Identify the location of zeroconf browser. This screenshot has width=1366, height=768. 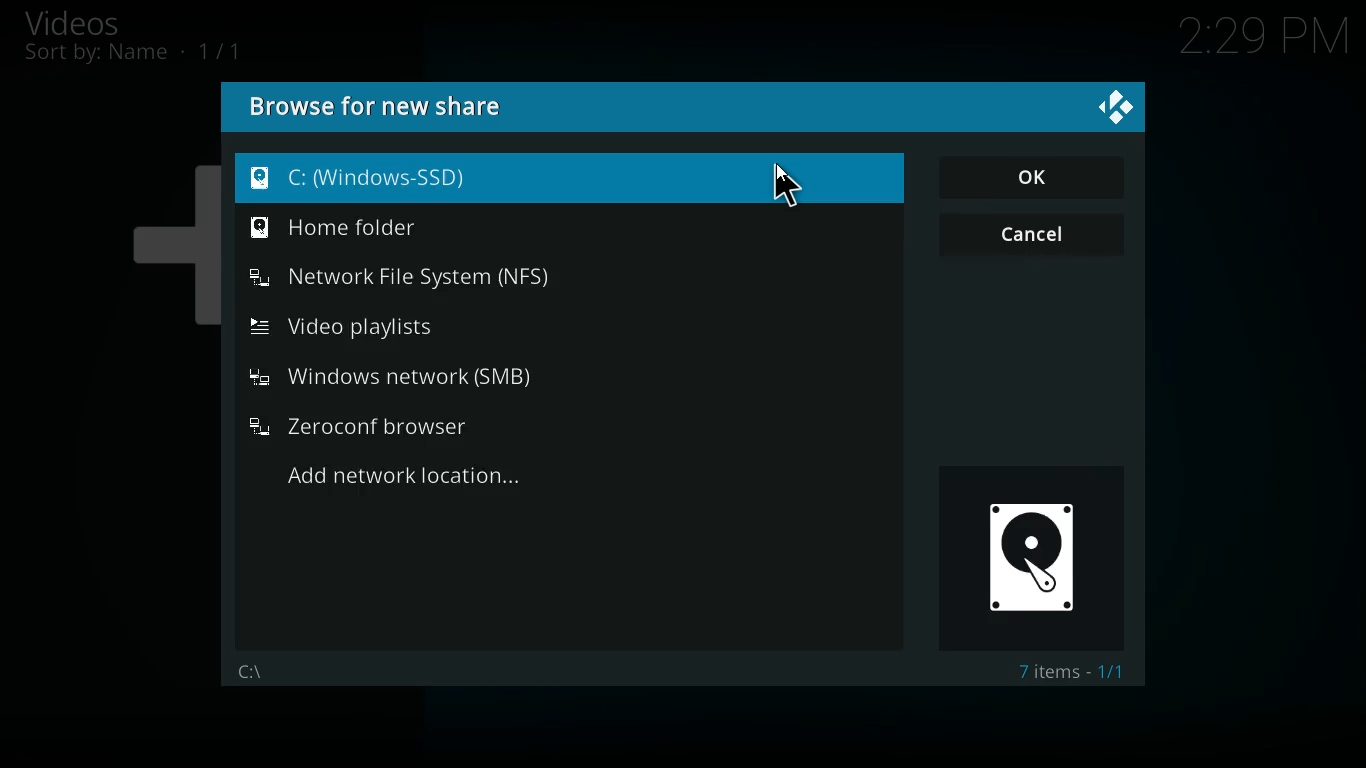
(393, 426).